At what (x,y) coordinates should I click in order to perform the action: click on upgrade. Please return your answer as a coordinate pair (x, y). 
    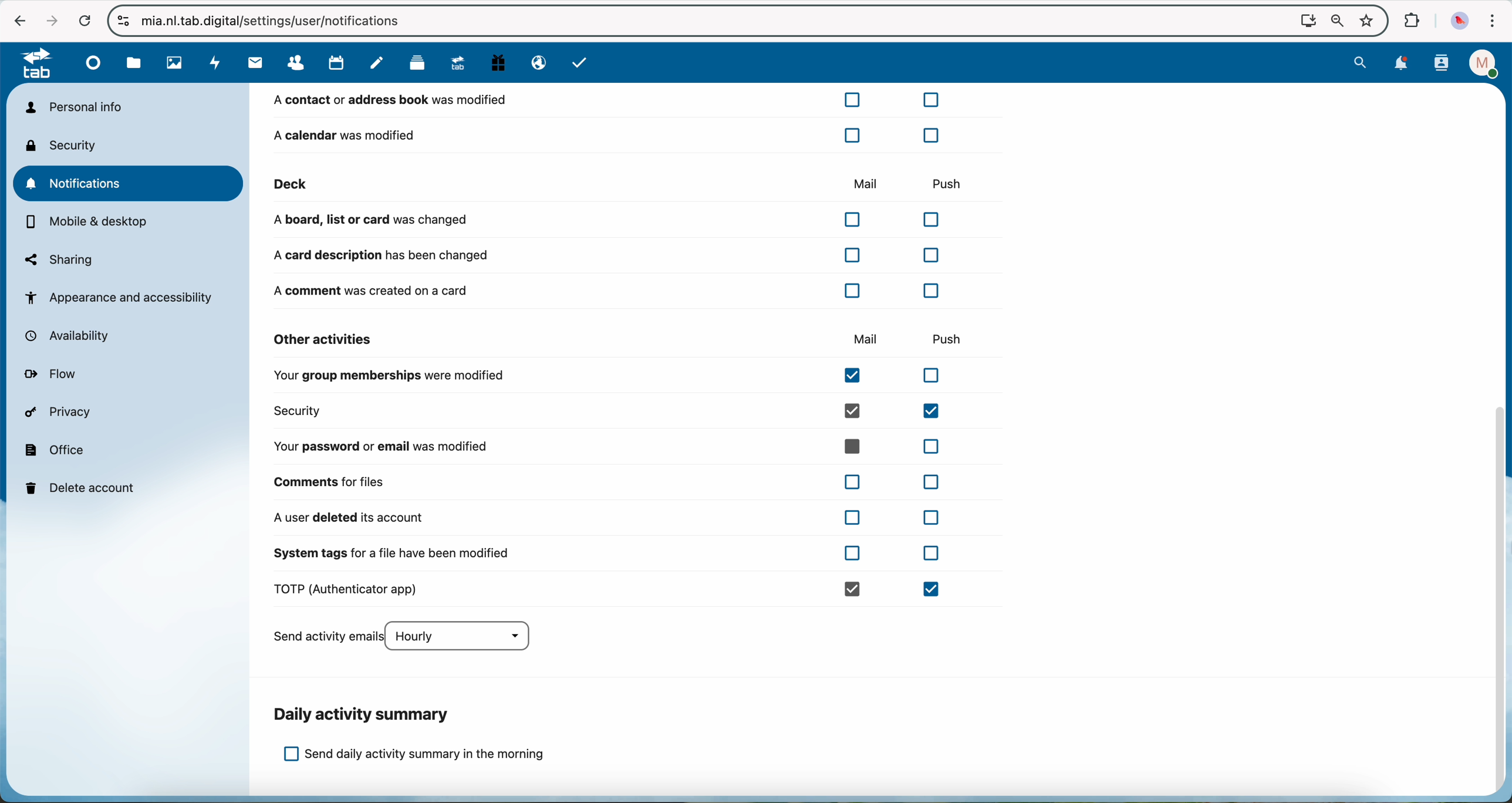
    Looking at the image, I should click on (462, 65).